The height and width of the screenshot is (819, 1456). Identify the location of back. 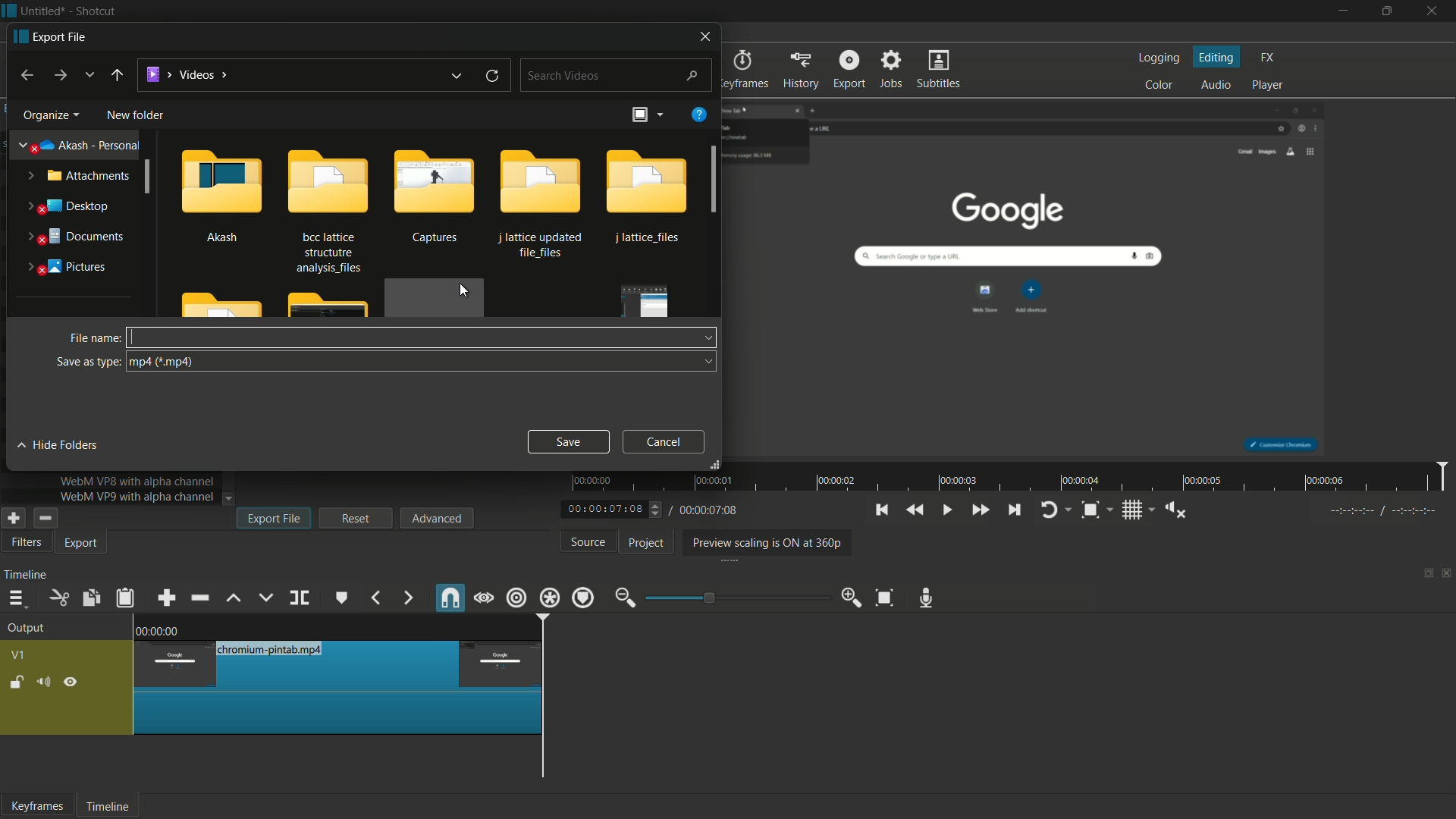
(24, 76).